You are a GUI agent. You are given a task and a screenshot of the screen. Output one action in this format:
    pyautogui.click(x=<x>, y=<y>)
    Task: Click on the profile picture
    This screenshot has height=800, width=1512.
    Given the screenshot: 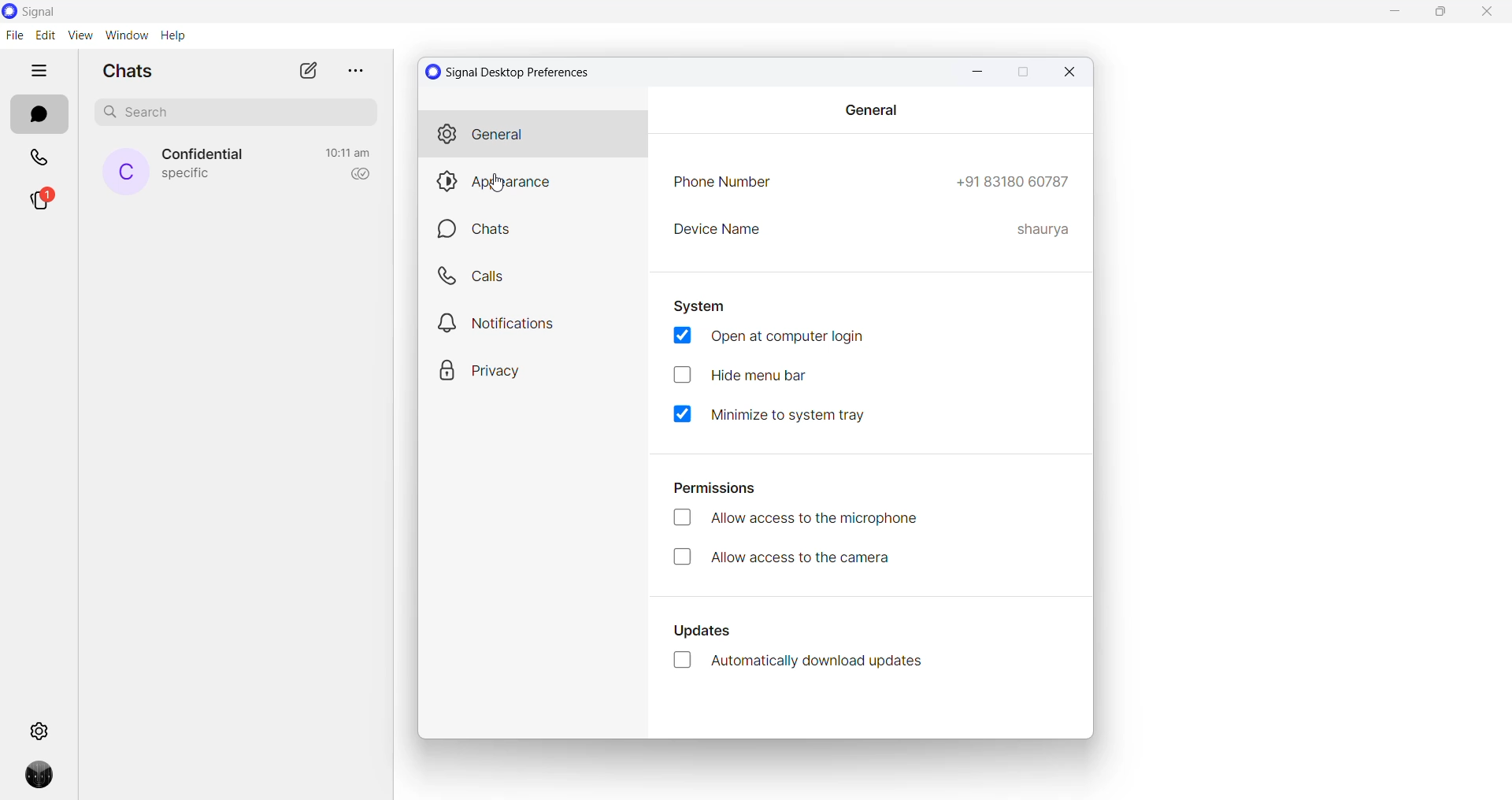 What is the action you would take?
    pyautogui.click(x=43, y=780)
    